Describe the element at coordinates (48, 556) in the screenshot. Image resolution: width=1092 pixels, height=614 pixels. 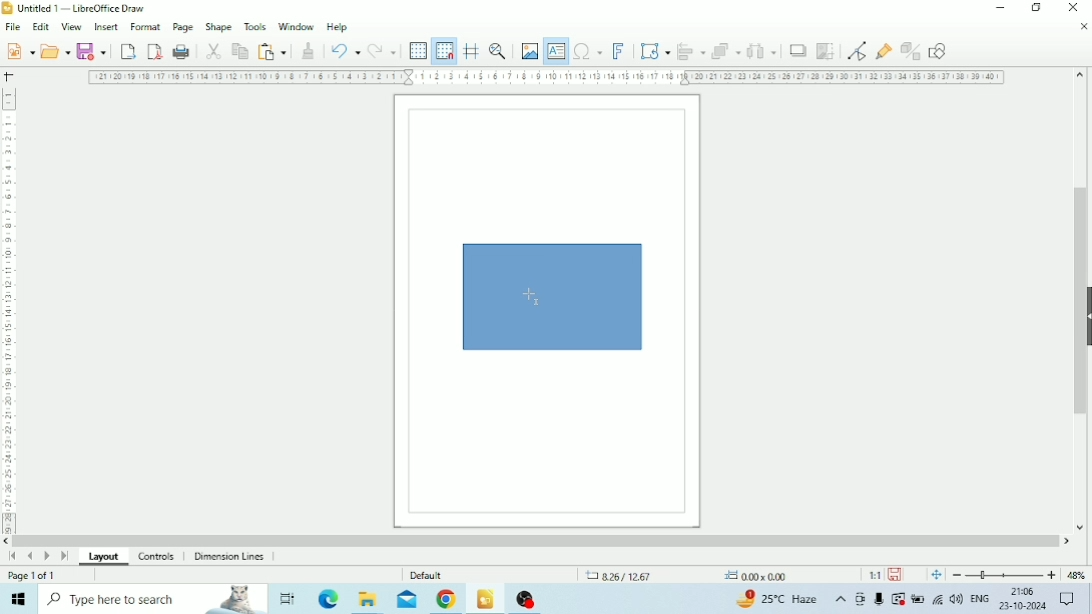
I see `Scroll to next page` at that location.